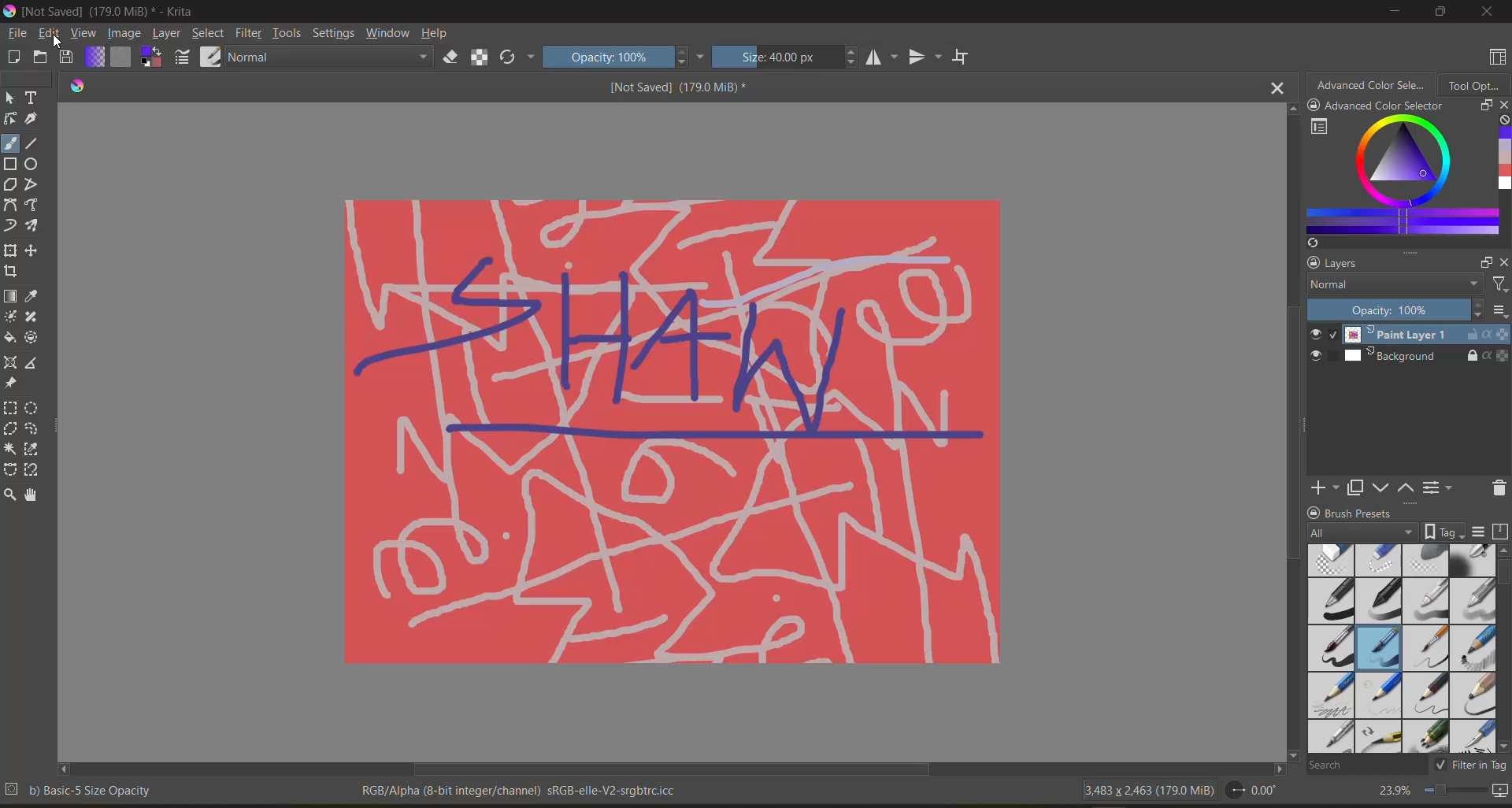 The width and height of the screenshot is (1512, 808). What do you see at coordinates (35, 250) in the screenshot?
I see `Move a layer` at bounding box center [35, 250].